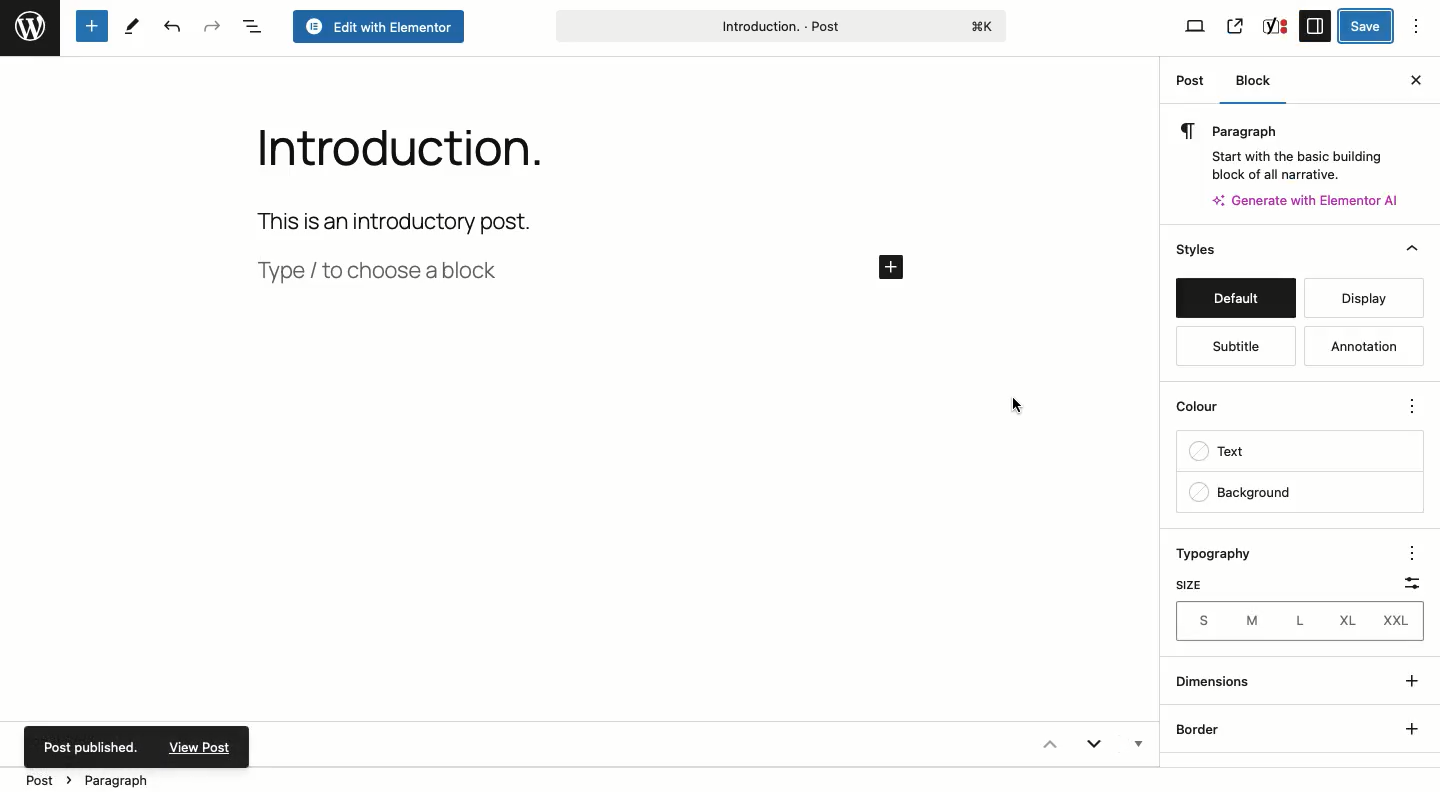 Image resolution: width=1440 pixels, height=792 pixels. What do you see at coordinates (85, 746) in the screenshot?
I see `Post published.` at bounding box center [85, 746].